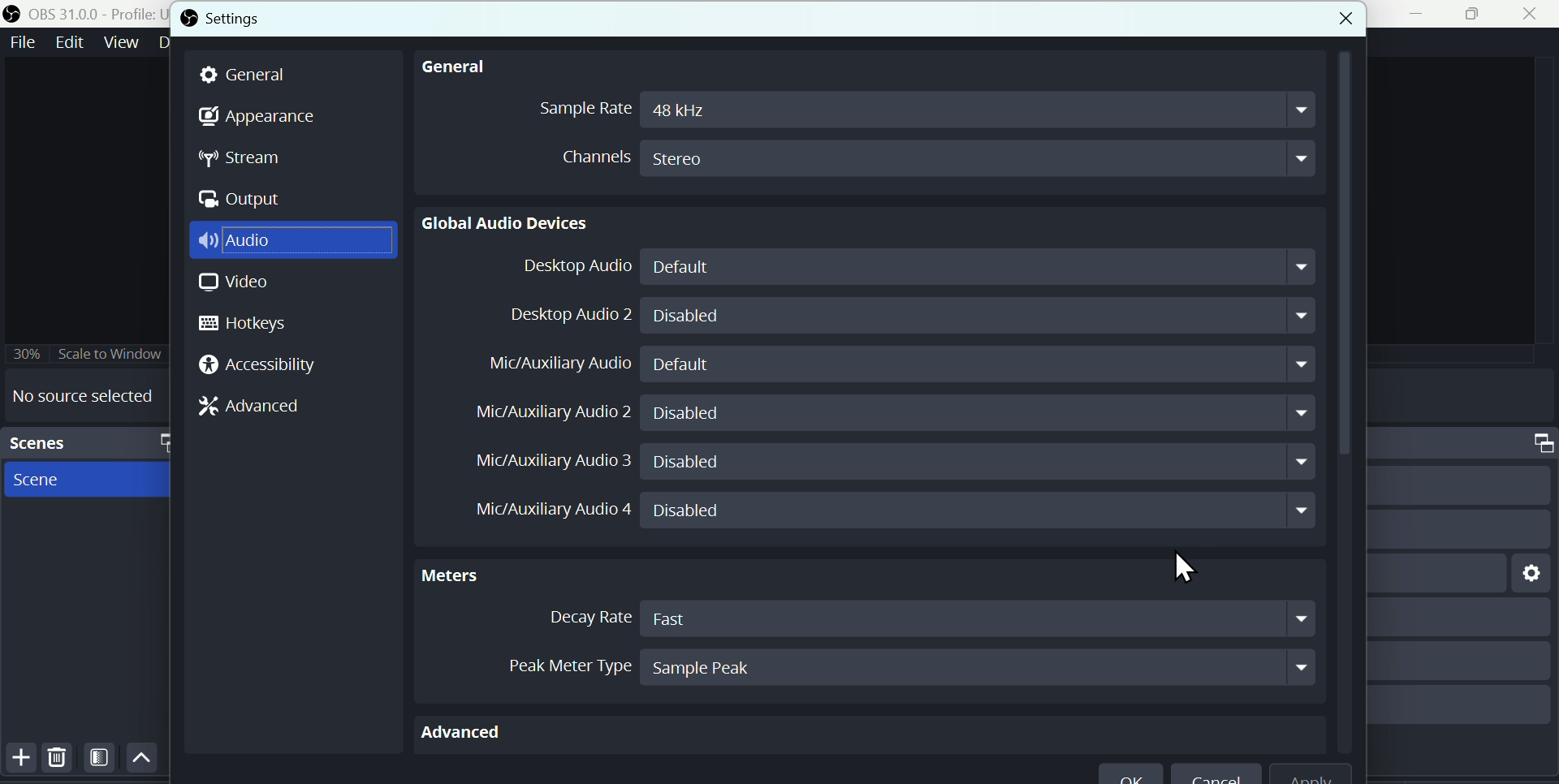  What do you see at coordinates (96, 13) in the screenshot?
I see `OBS 31.0 .0 profile untitled seen new scene` at bounding box center [96, 13].